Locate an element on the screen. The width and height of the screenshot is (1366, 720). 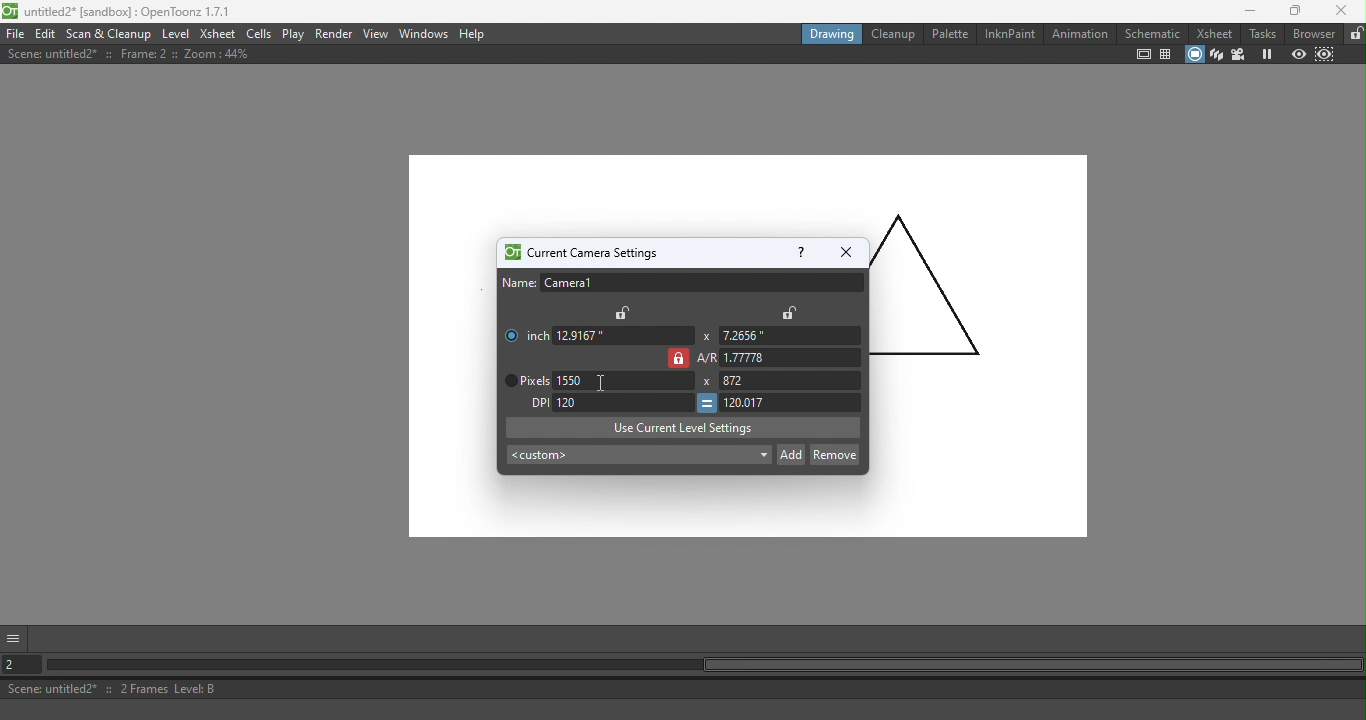
Remove is located at coordinates (834, 453).